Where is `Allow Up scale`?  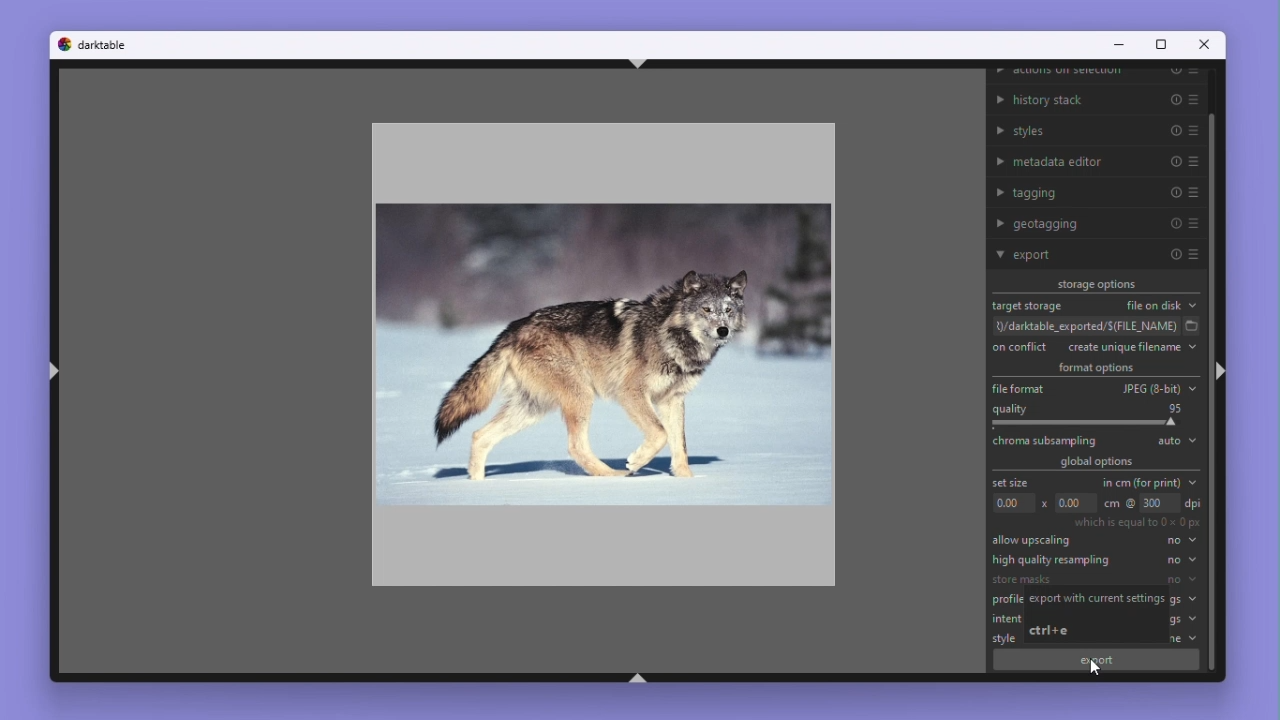 Allow Up scale is located at coordinates (1032, 540).